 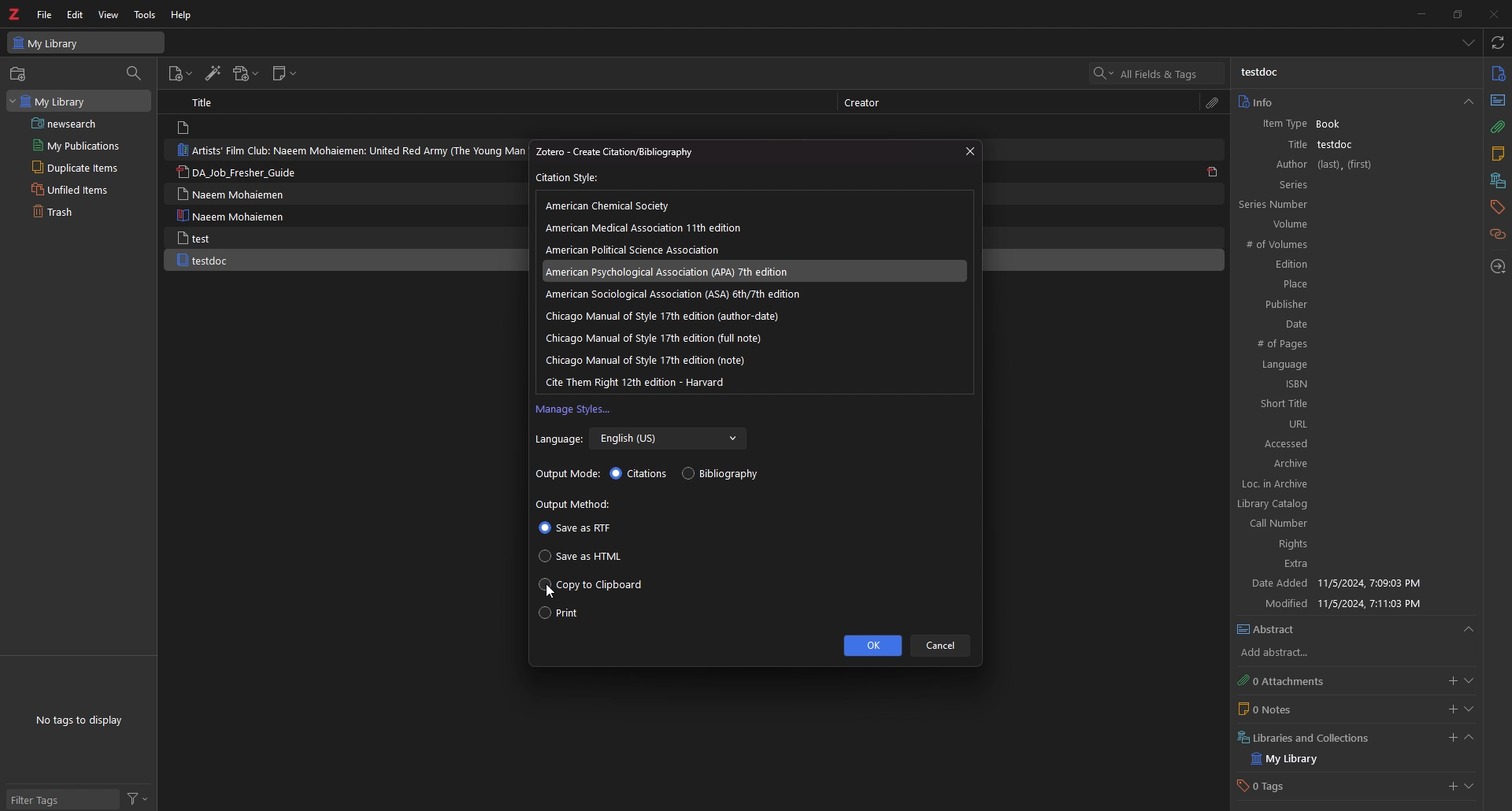 What do you see at coordinates (81, 123) in the screenshot?
I see `saved search` at bounding box center [81, 123].